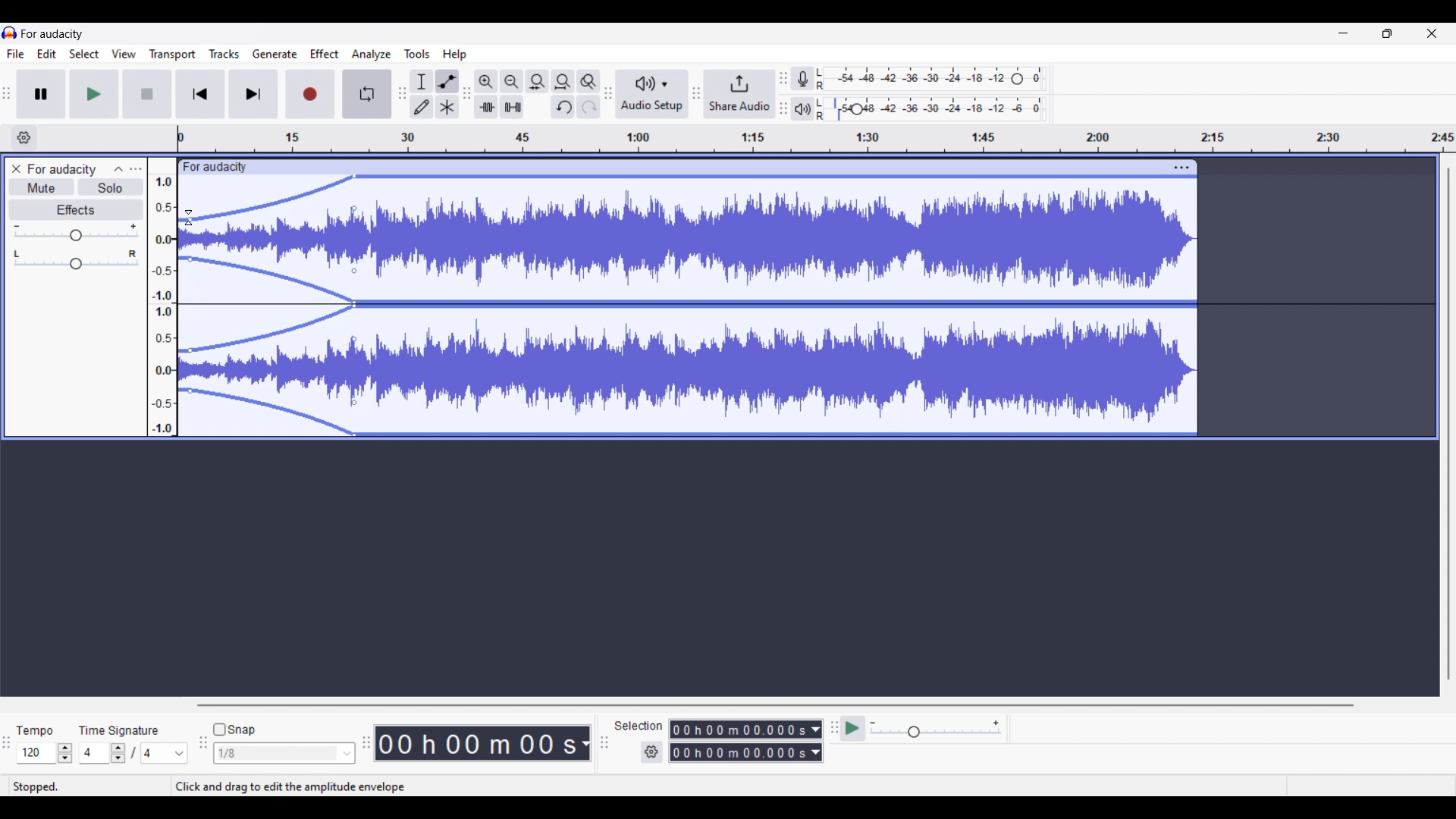 The image size is (1456, 819). Describe the element at coordinates (652, 752) in the screenshot. I see `Settings` at that location.